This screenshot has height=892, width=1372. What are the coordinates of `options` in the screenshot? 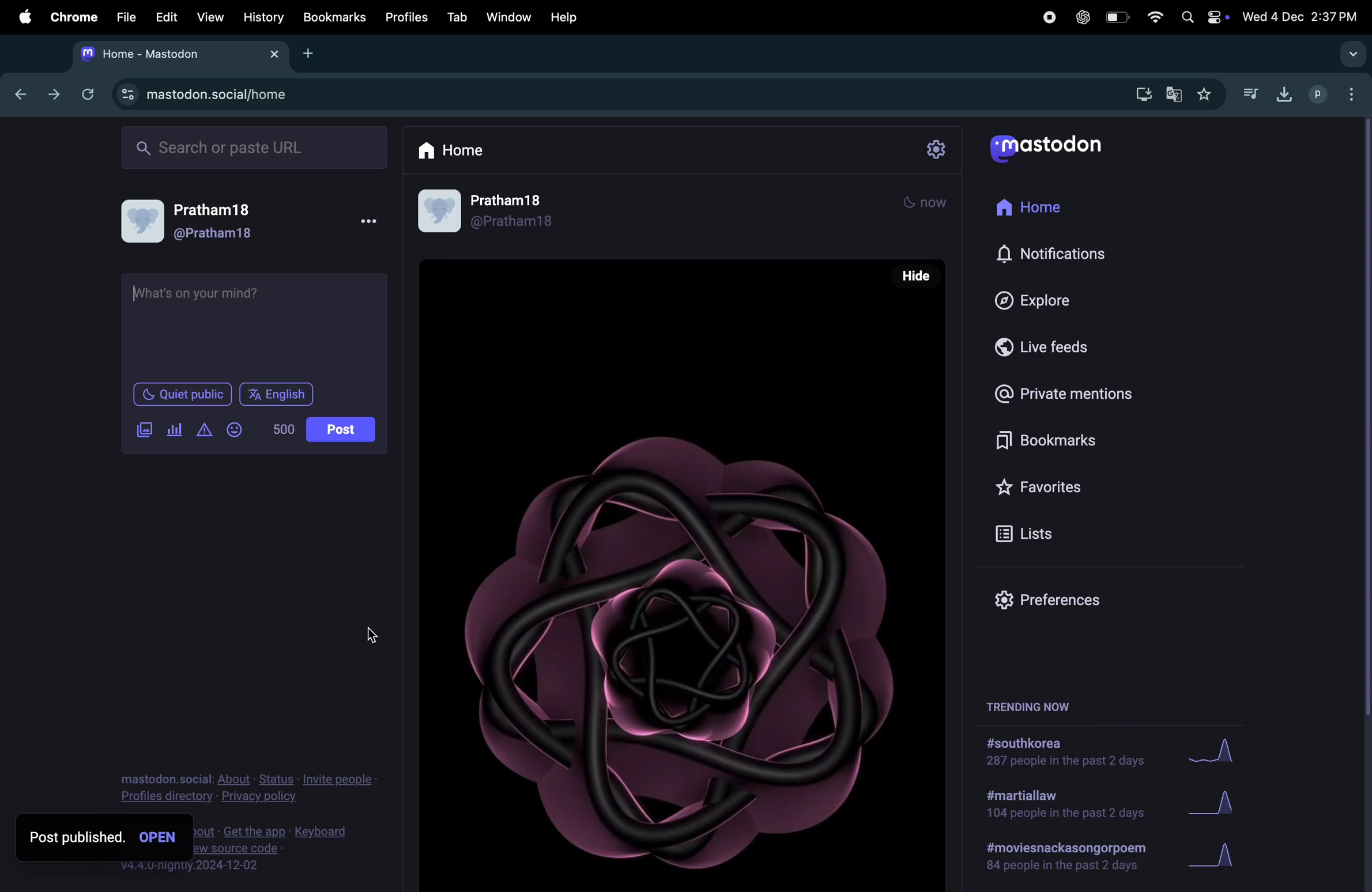 It's located at (367, 222).